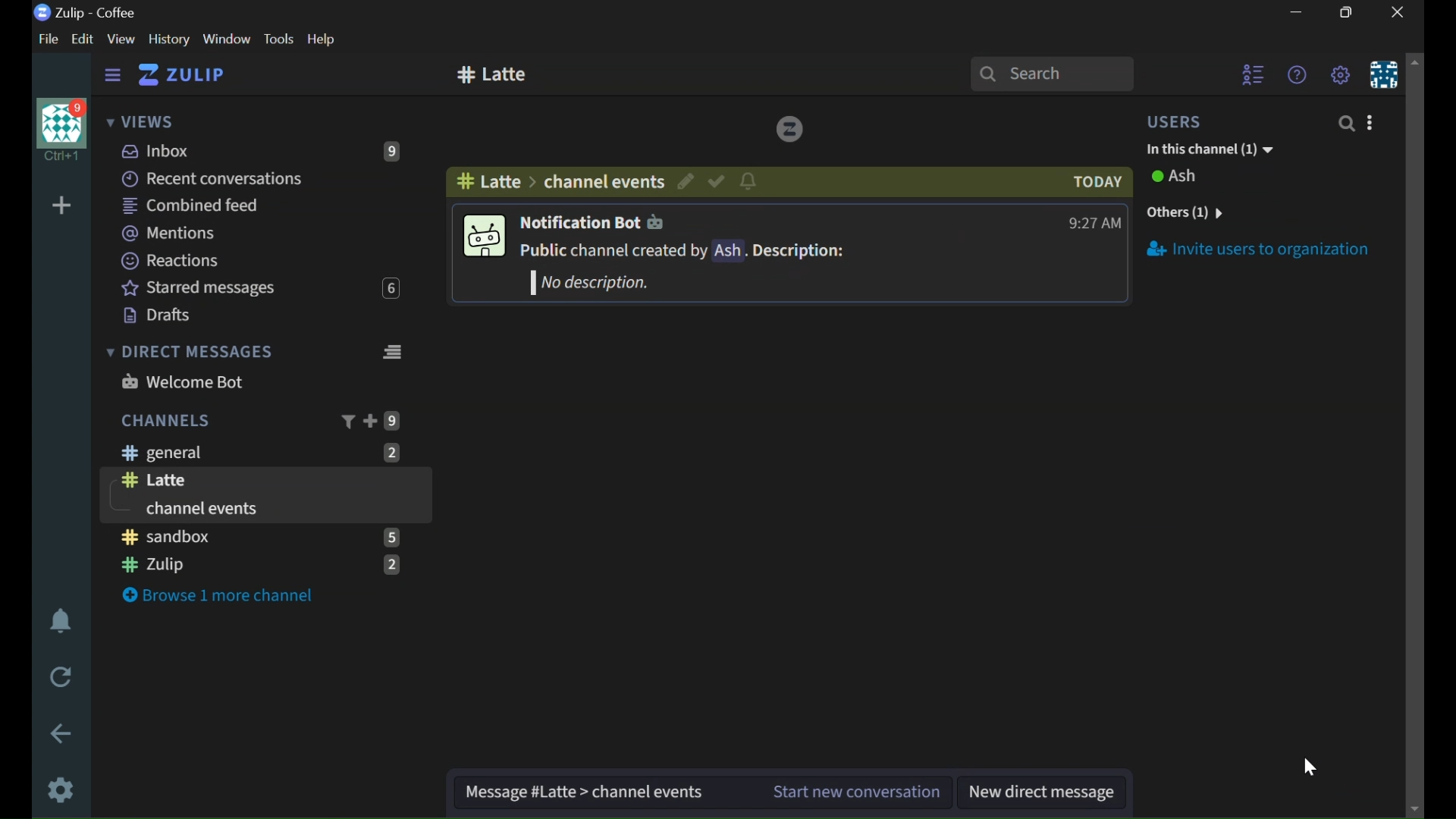 This screenshot has width=1456, height=819. I want to click on CLOSE, so click(1398, 12).